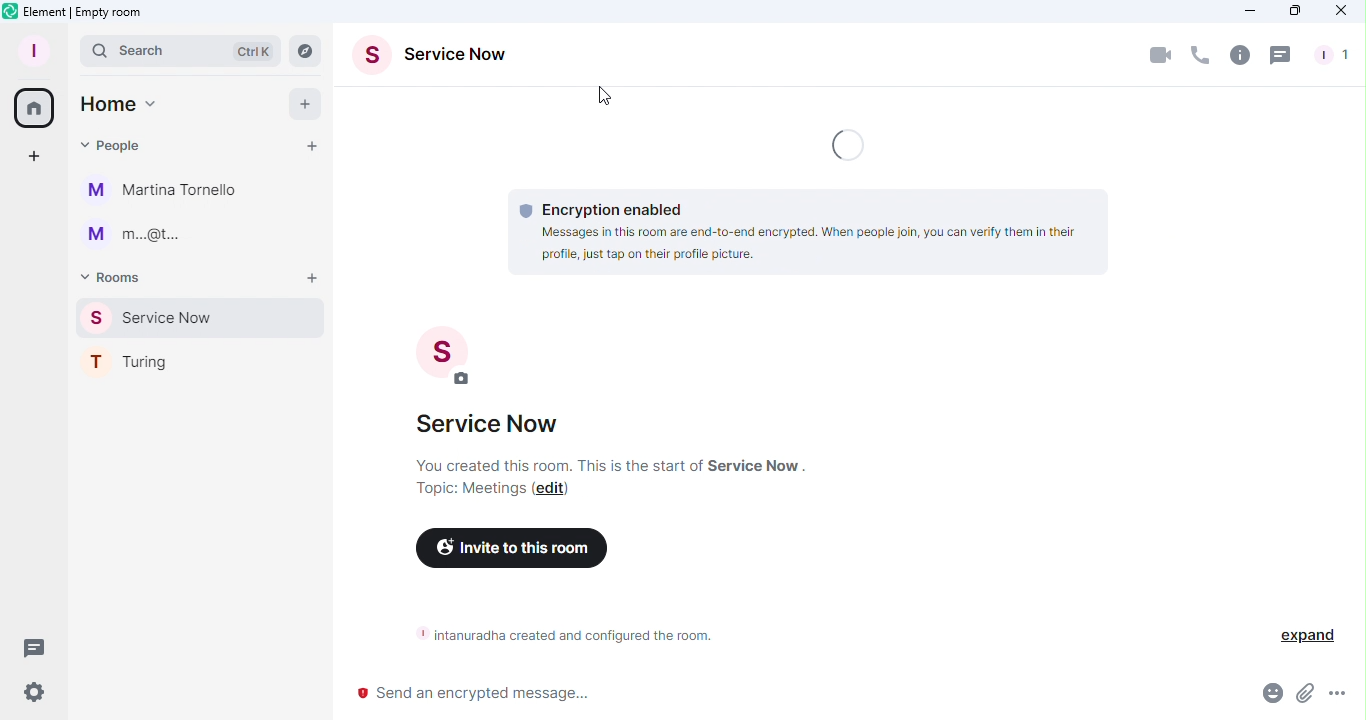 Image resolution: width=1366 pixels, height=720 pixels. I want to click on Turing, so click(191, 359).